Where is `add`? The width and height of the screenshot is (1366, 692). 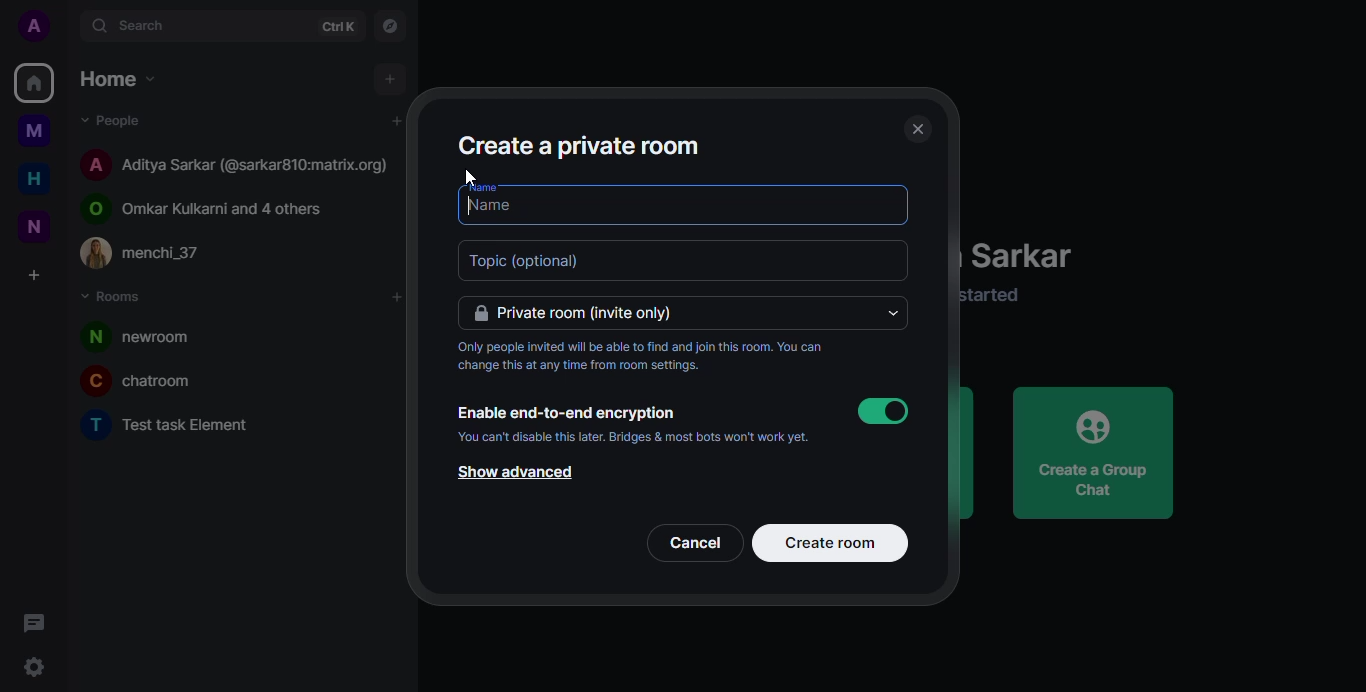
add is located at coordinates (396, 120).